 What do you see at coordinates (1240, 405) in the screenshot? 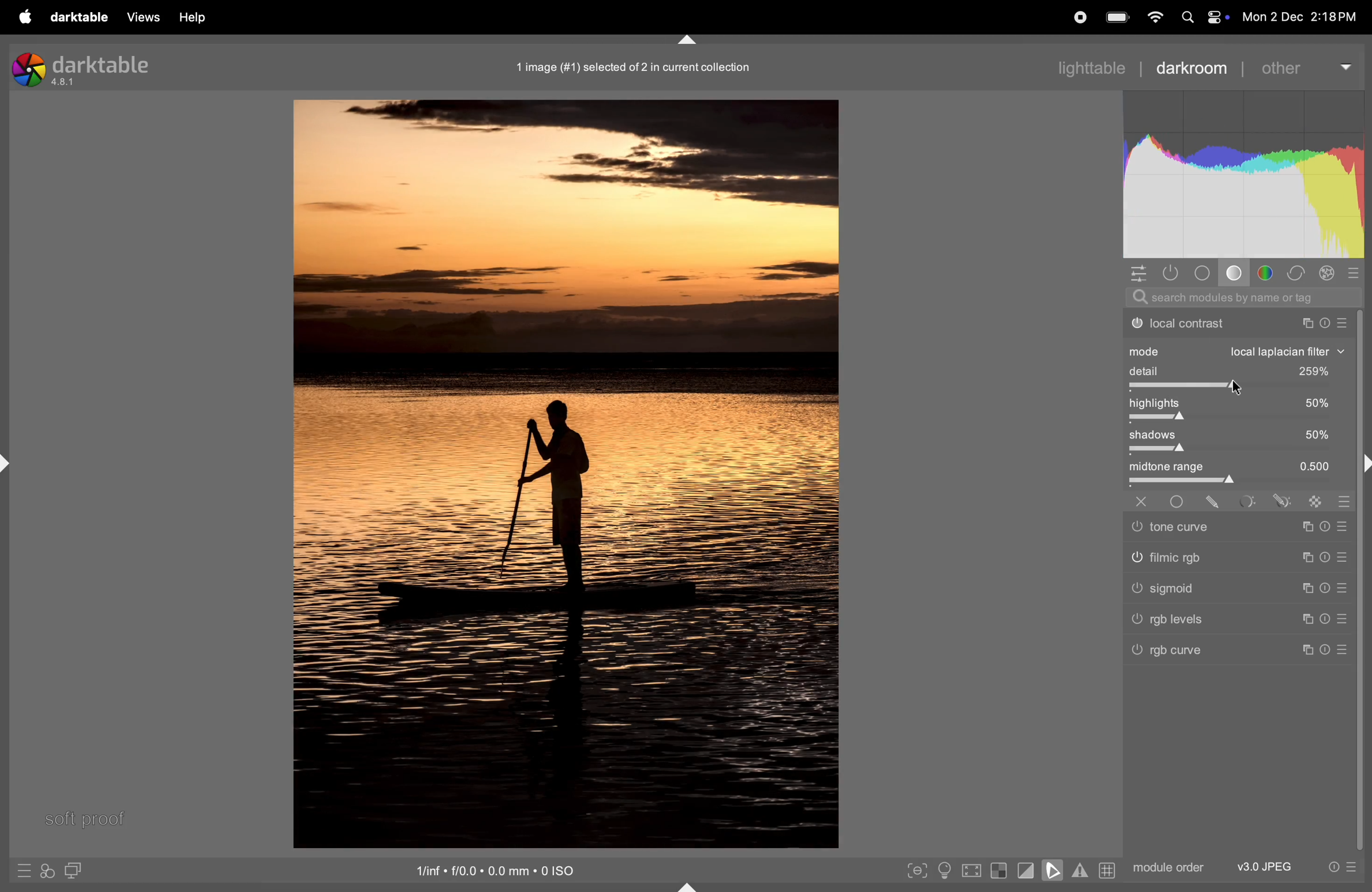
I see `high lights` at bounding box center [1240, 405].